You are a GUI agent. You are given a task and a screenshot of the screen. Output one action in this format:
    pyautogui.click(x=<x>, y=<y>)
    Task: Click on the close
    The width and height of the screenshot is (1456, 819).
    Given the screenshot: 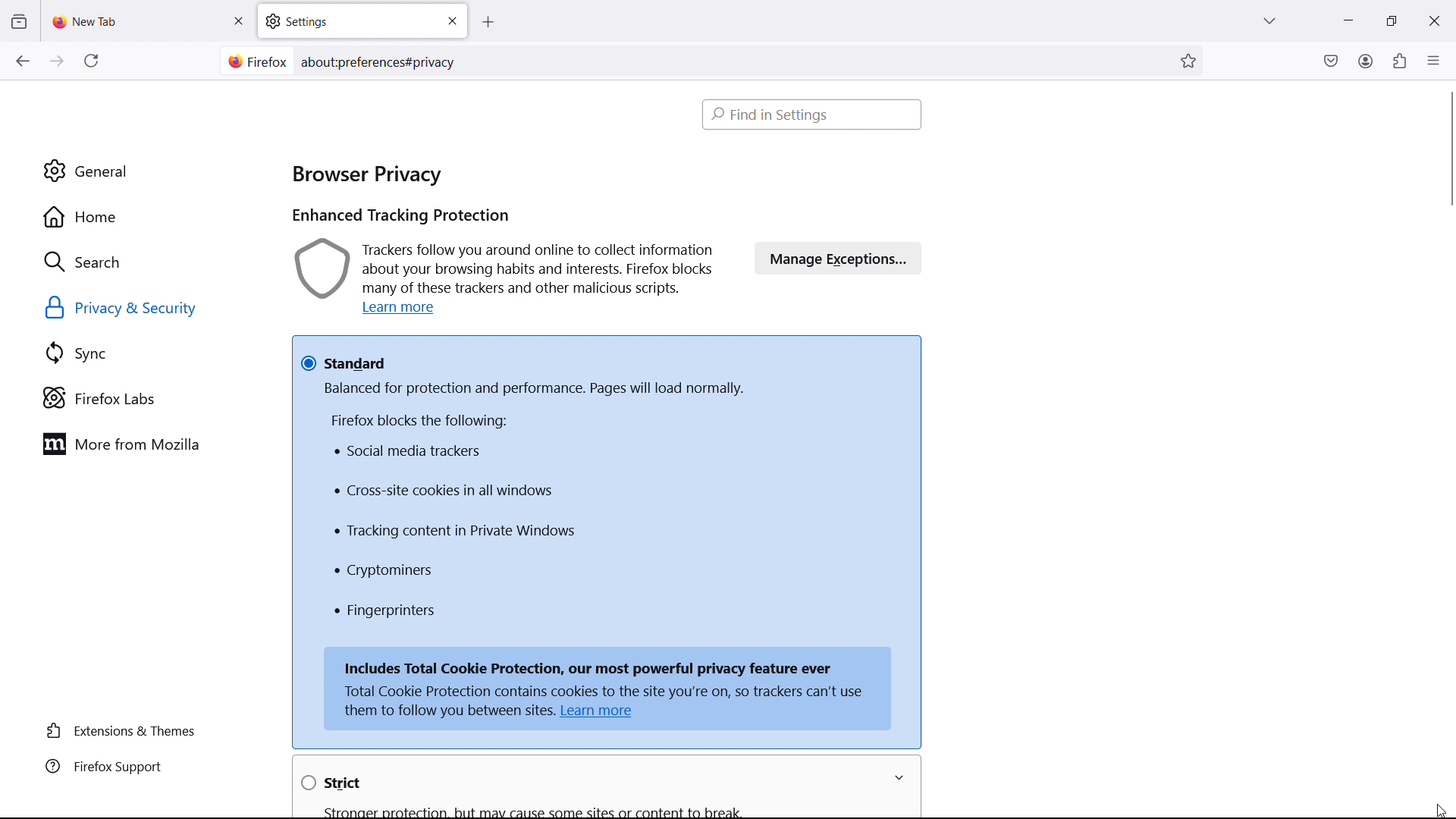 What is the action you would take?
    pyautogui.click(x=1433, y=18)
    